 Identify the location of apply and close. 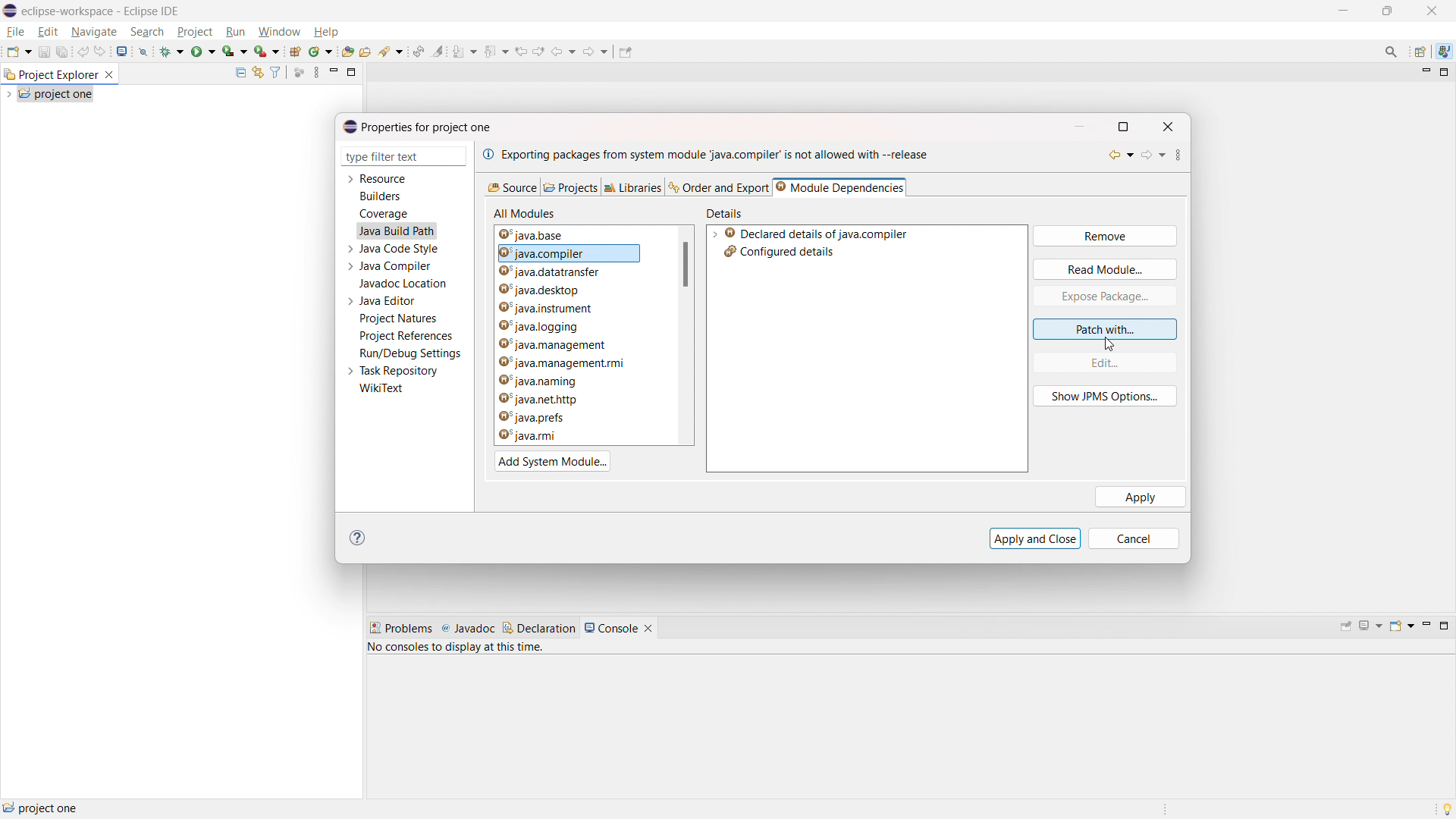
(1035, 538).